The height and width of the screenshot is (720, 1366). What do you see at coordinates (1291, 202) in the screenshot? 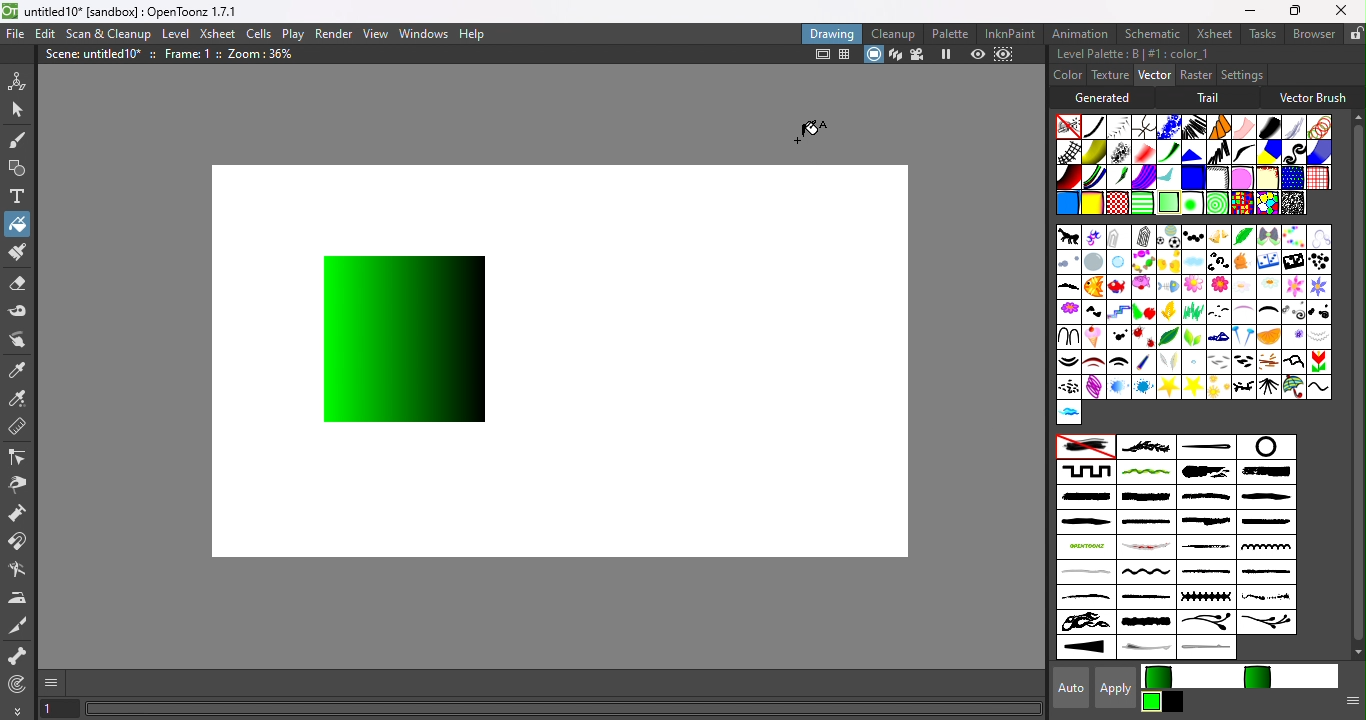
I see `Chalk` at bounding box center [1291, 202].